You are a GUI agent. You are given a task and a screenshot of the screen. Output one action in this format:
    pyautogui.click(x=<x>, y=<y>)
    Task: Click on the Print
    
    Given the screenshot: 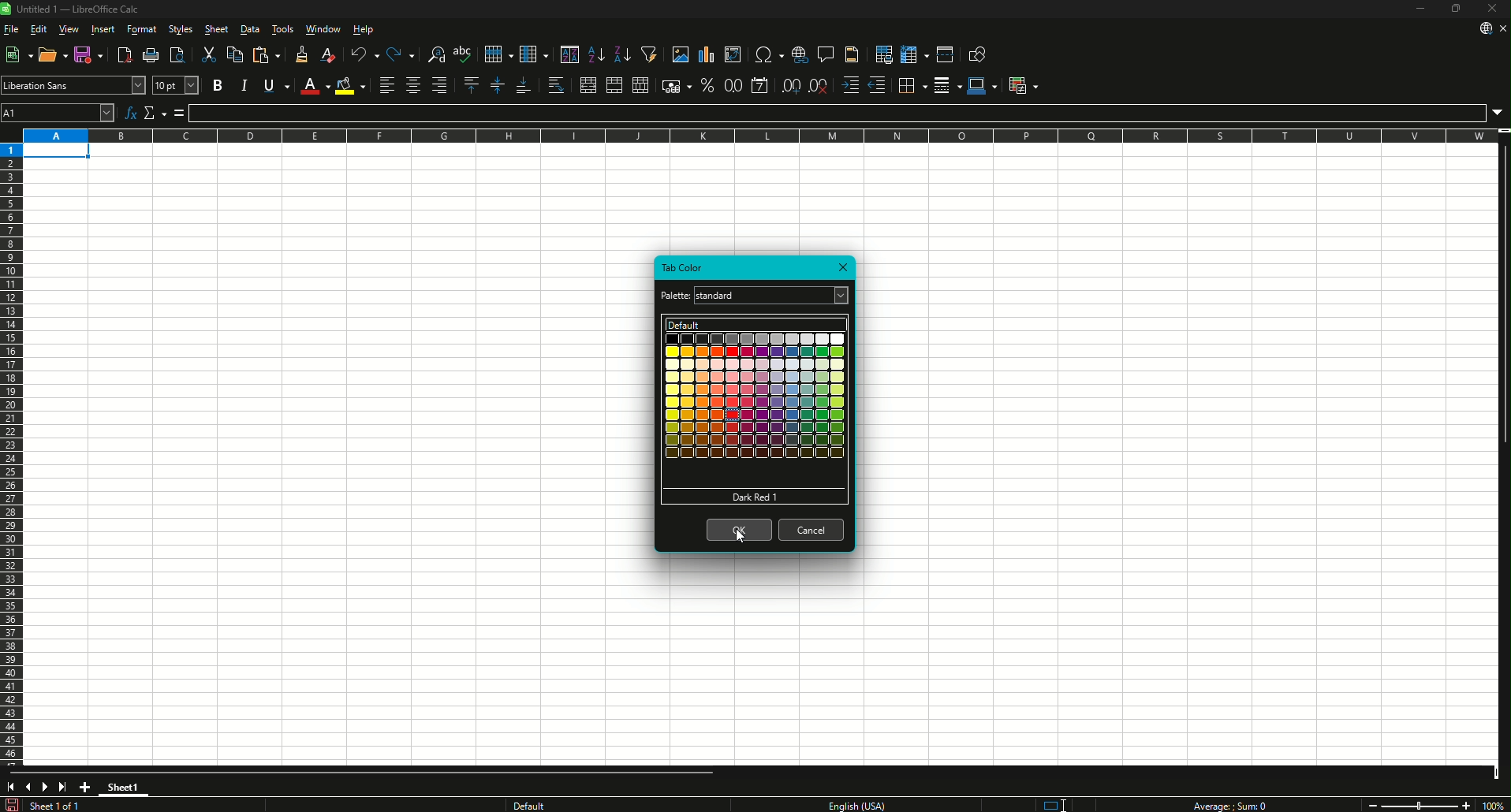 What is the action you would take?
    pyautogui.click(x=151, y=54)
    